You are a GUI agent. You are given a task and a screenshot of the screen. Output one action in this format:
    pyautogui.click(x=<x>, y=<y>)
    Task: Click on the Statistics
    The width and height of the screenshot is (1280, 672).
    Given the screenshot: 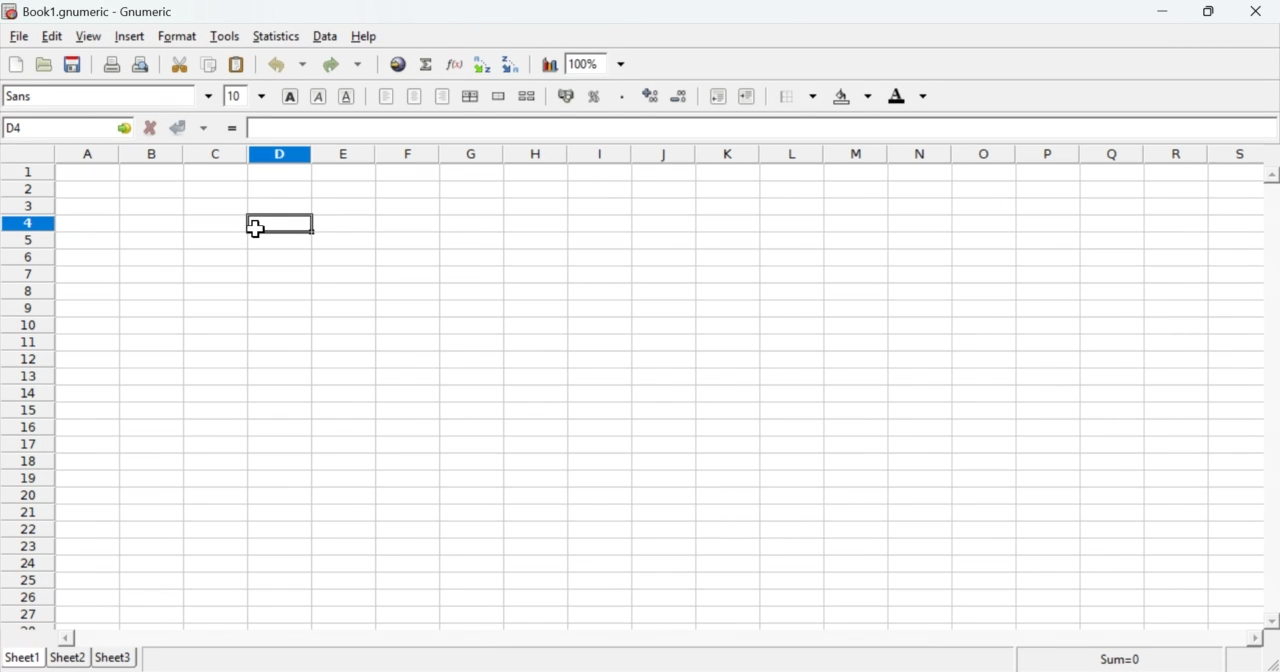 What is the action you would take?
    pyautogui.click(x=279, y=36)
    